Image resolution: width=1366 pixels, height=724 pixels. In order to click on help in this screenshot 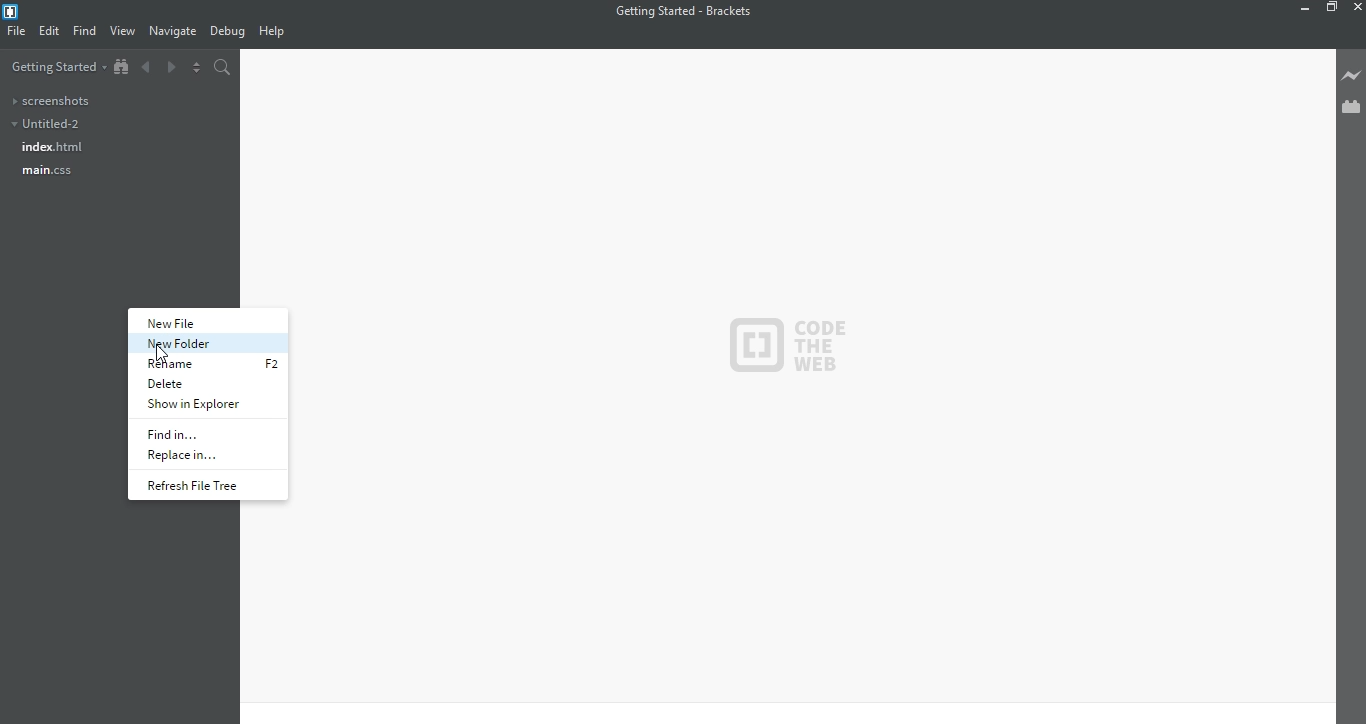, I will do `click(279, 30)`.